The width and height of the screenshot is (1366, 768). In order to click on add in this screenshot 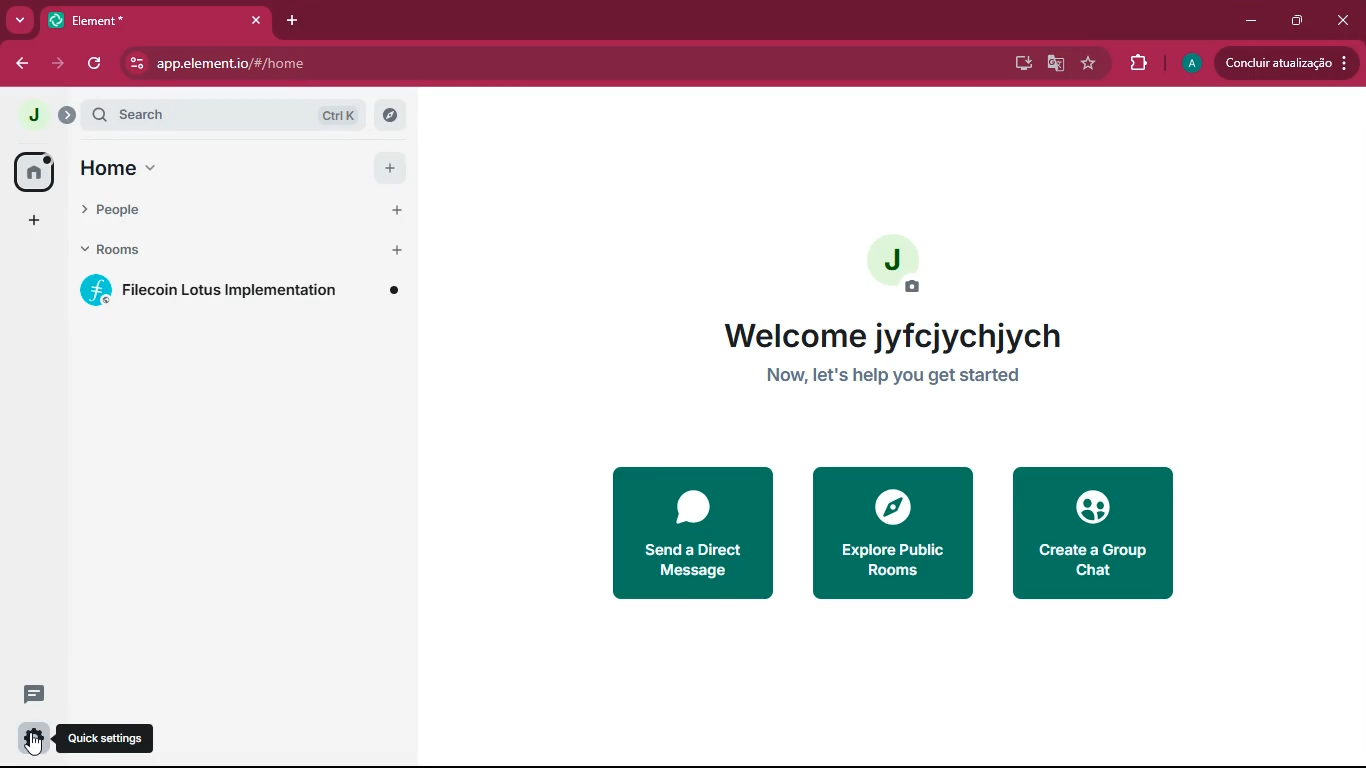, I will do `click(33, 220)`.